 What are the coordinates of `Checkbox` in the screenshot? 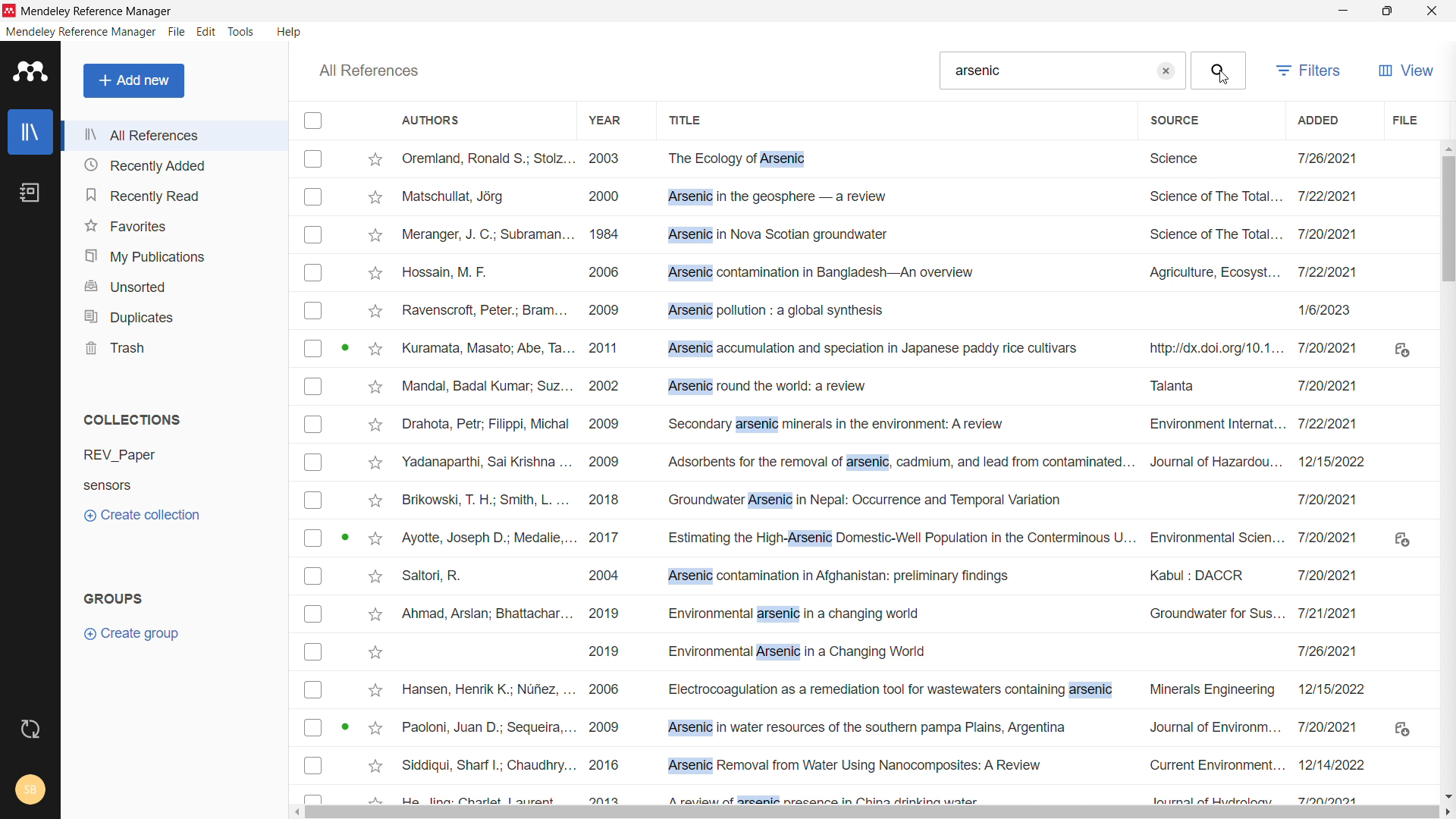 It's located at (315, 616).